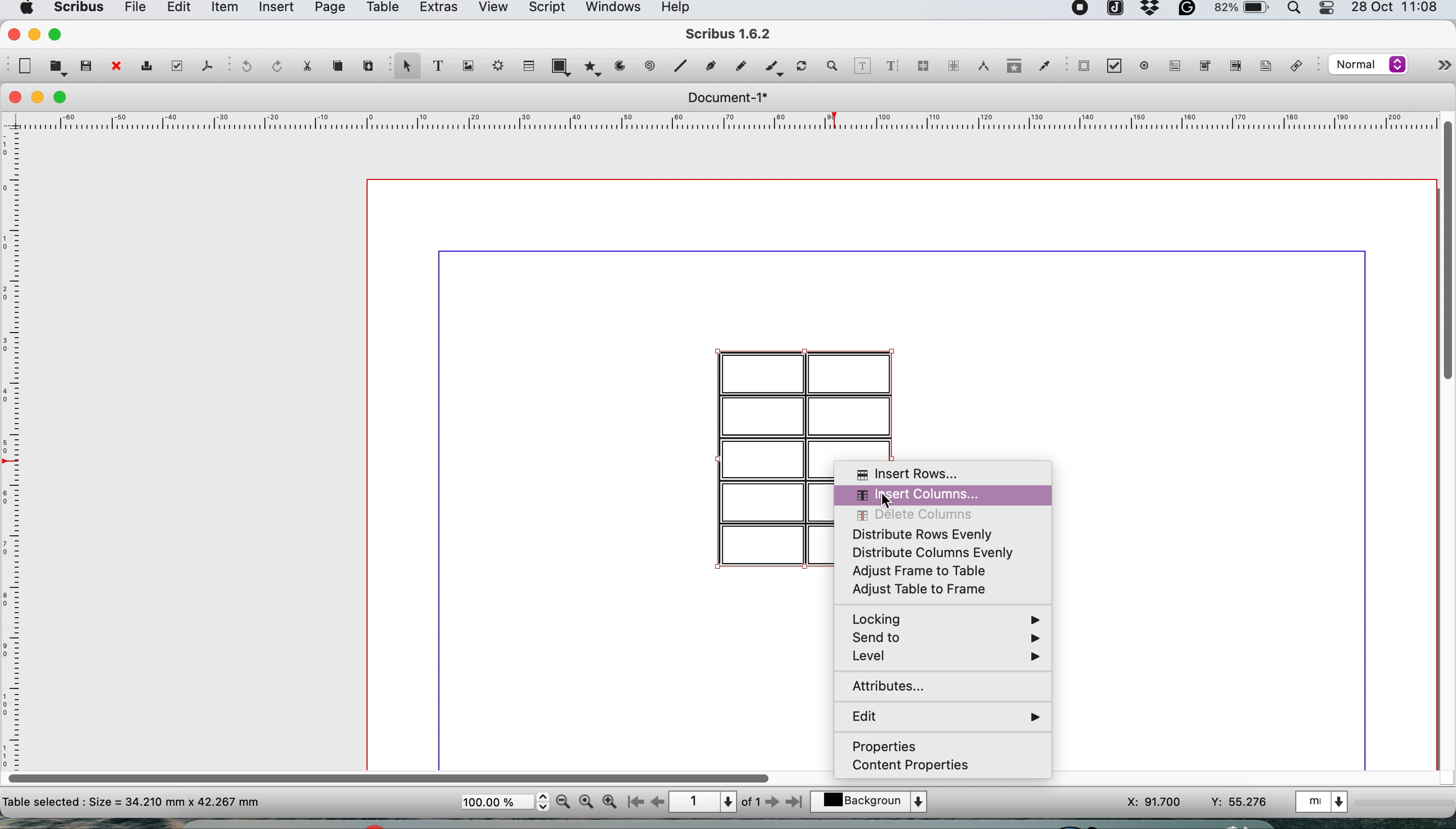 The width and height of the screenshot is (1456, 829). Describe the element at coordinates (651, 65) in the screenshot. I see `spiral` at that location.